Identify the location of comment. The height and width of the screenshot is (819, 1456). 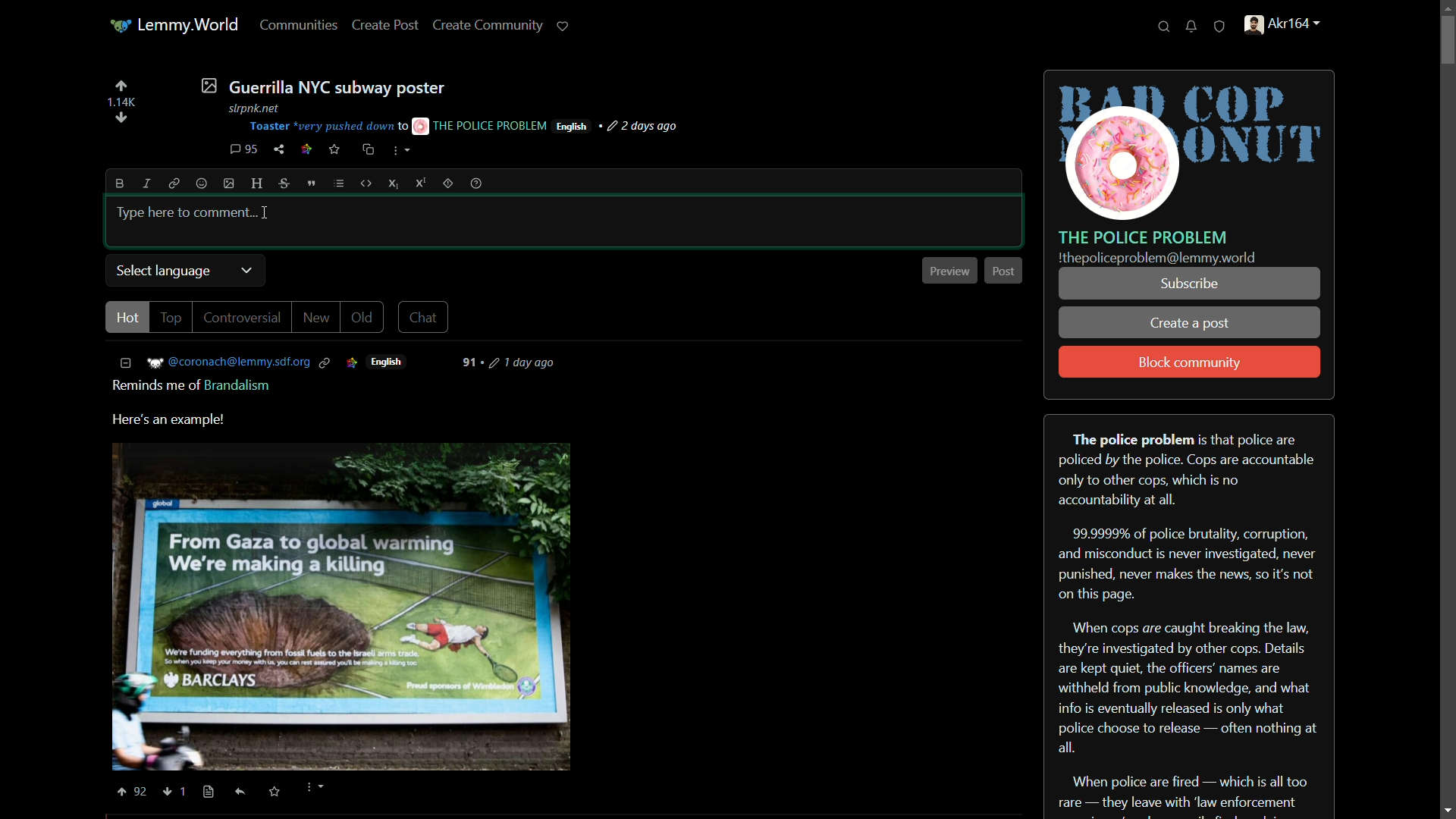
(243, 149).